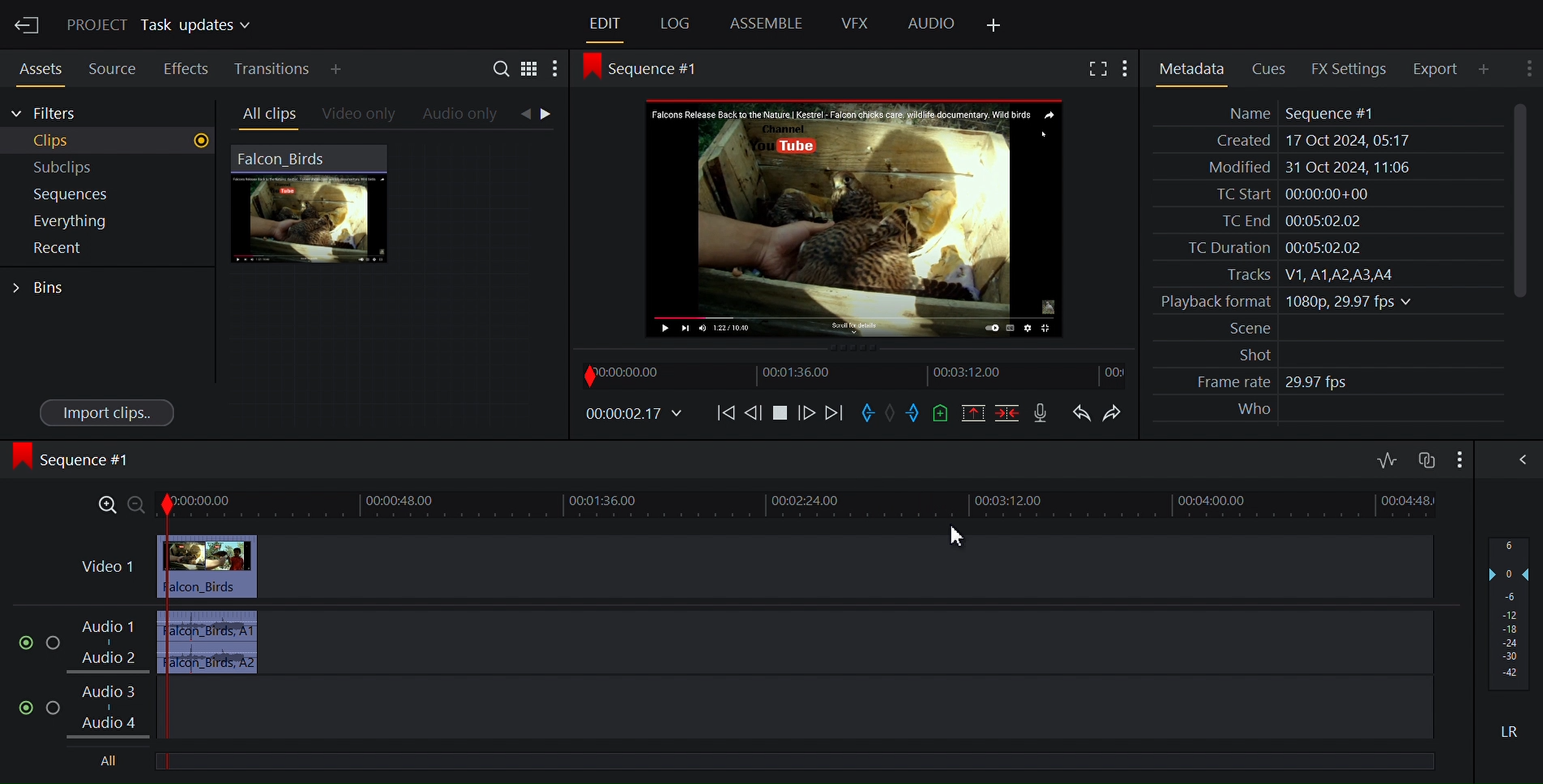 Image resolution: width=1543 pixels, height=784 pixels. I want to click on Sequence, so click(100, 194).